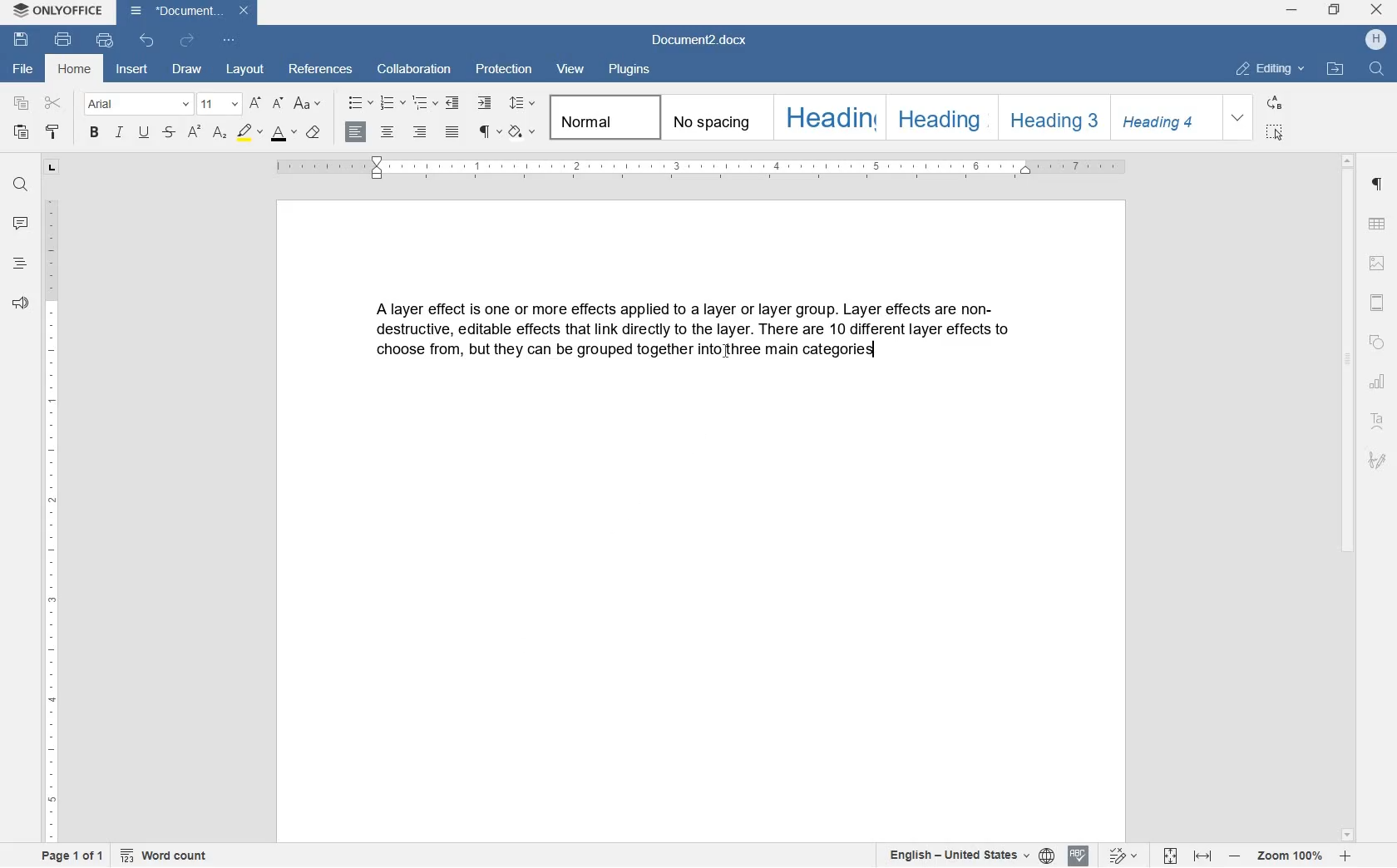 The height and width of the screenshot is (868, 1397). Describe the element at coordinates (423, 103) in the screenshot. I see `multilevel list` at that location.